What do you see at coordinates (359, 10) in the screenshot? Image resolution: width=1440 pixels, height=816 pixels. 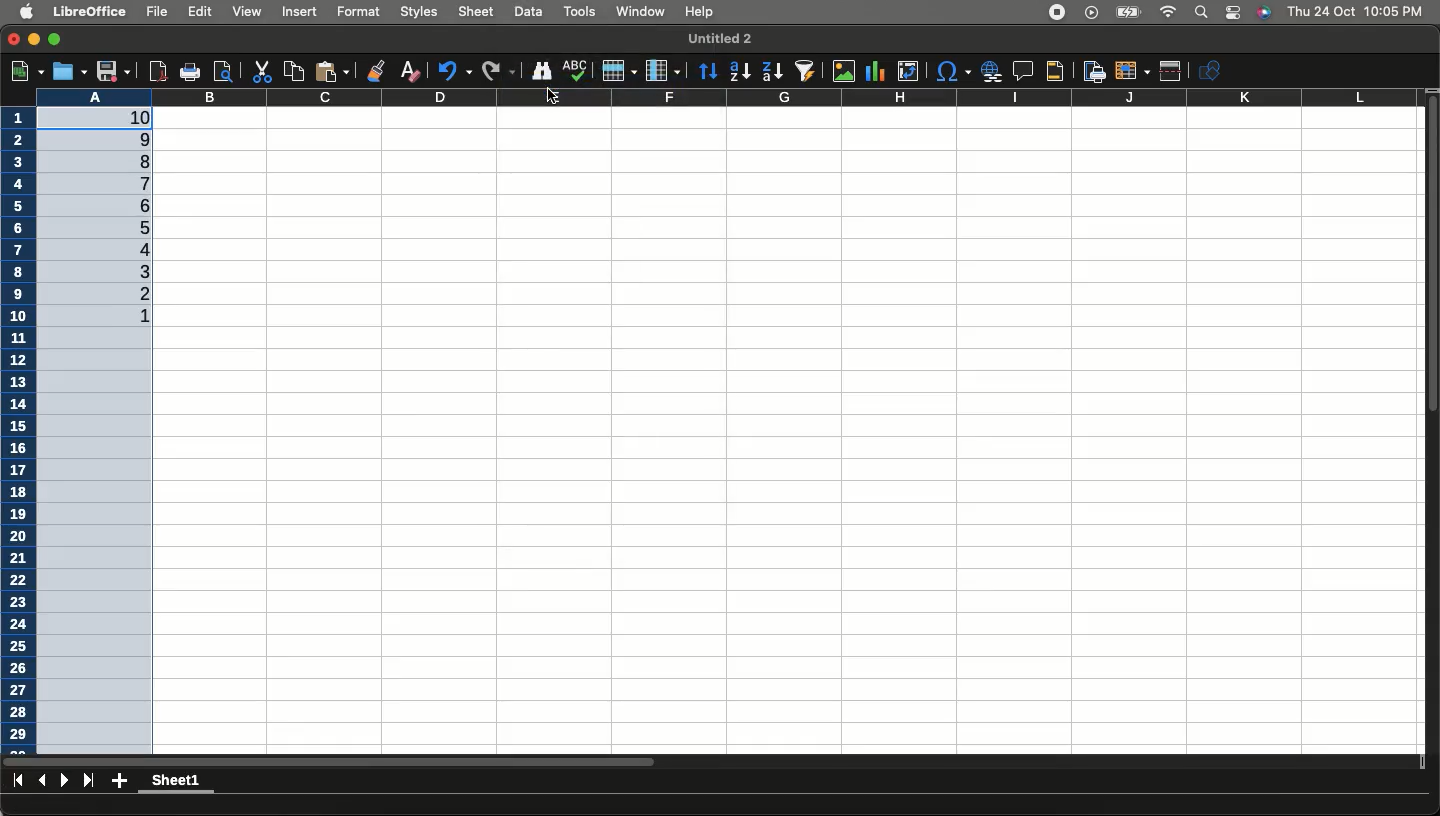 I see `Format` at bounding box center [359, 10].